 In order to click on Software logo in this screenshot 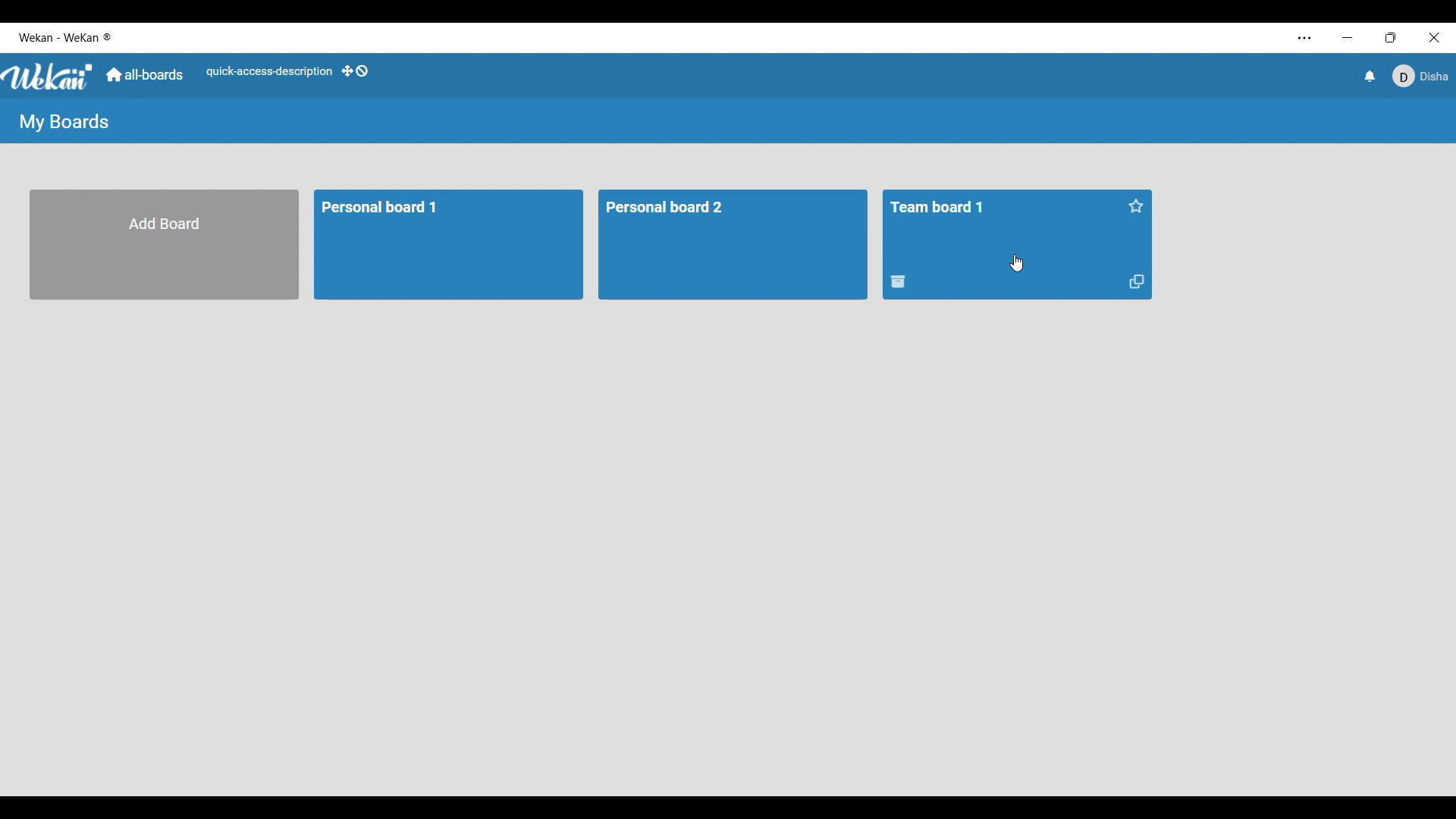, I will do `click(49, 77)`.